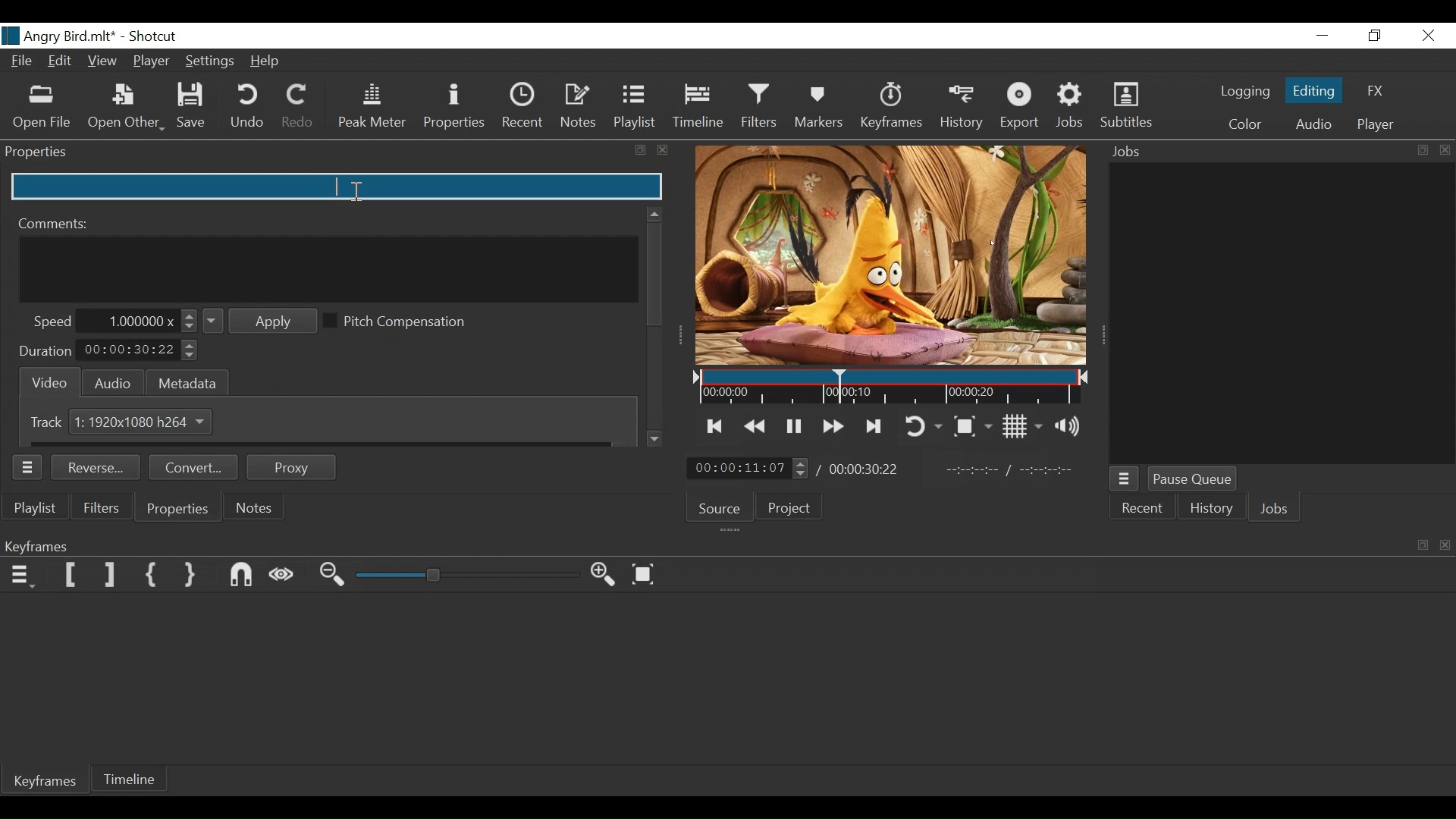  I want to click on Playlist, so click(39, 509).